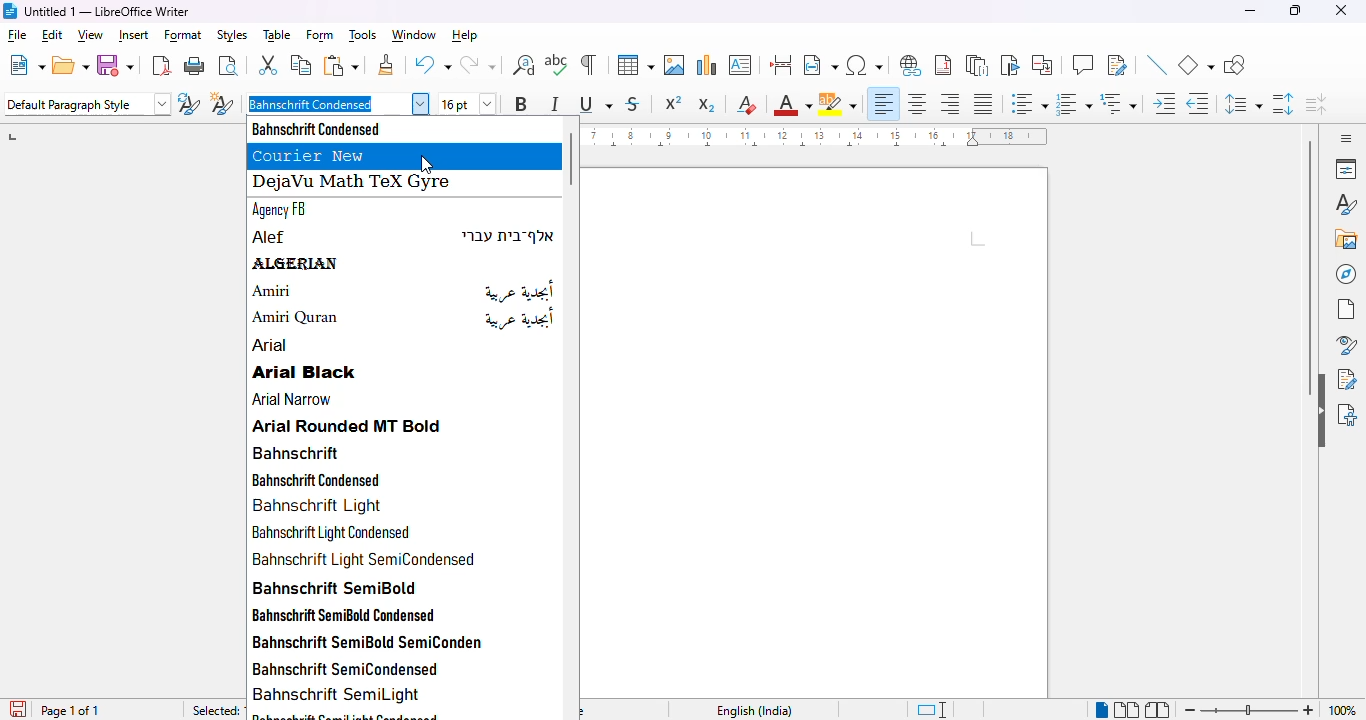 This screenshot has height=720, width=1366. Describe the element at coordinates (116, 65) in the screenshot. I see `save` at that location.